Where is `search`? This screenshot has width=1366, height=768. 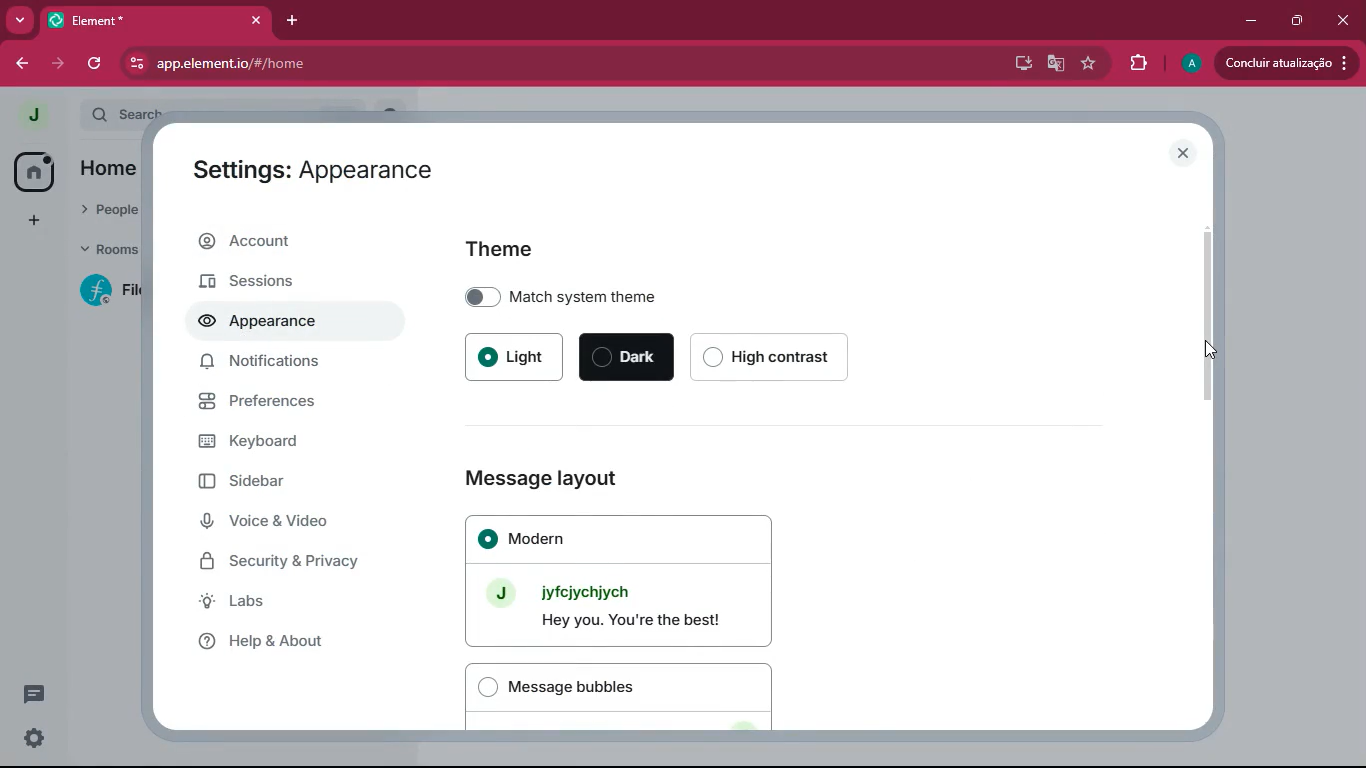
search is located at coordinates (127, 114).